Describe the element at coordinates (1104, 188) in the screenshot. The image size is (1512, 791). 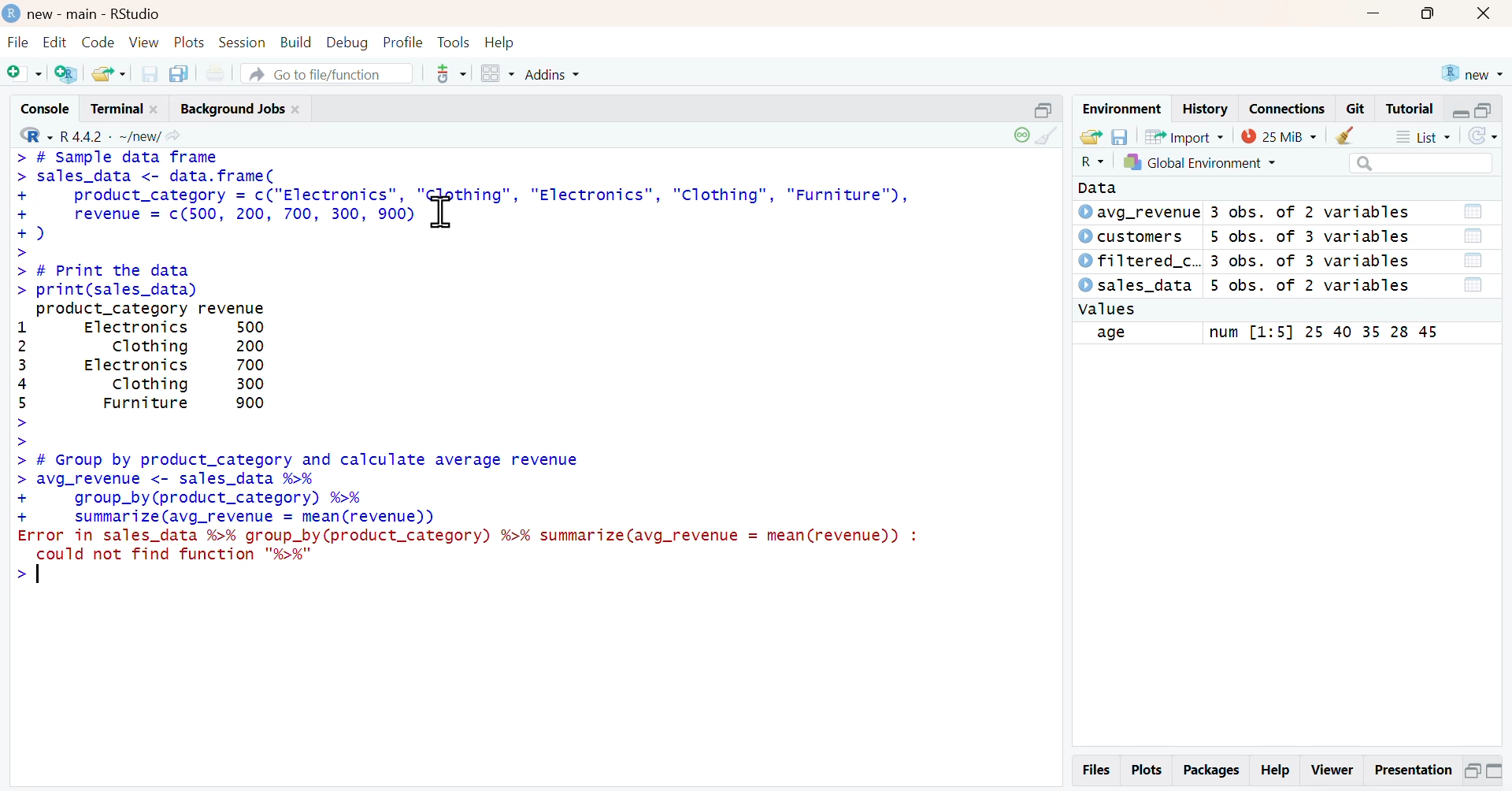
I see `Data` at that location.